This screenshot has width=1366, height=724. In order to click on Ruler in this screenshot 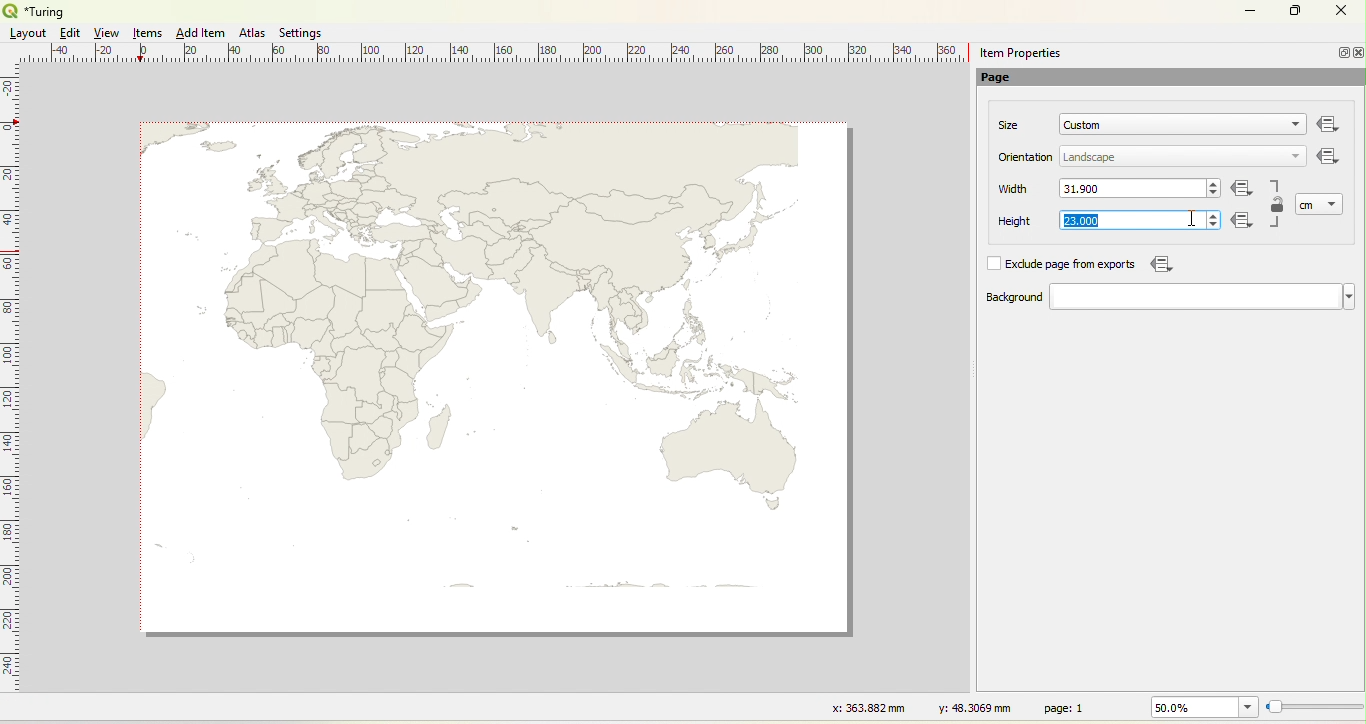, I will do `click(501, 54)`.